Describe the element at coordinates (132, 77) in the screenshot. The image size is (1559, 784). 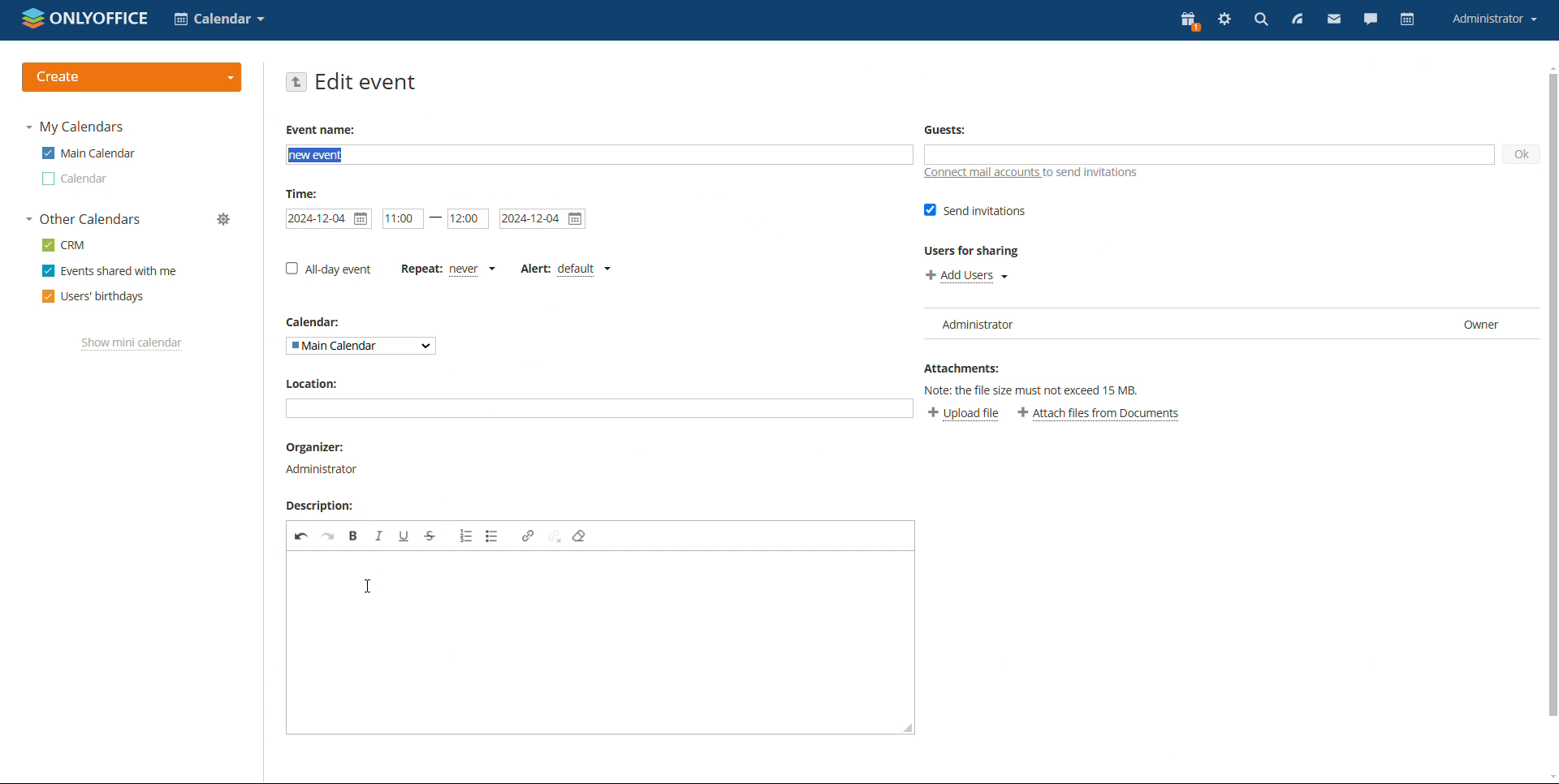
I see `create` at that location.